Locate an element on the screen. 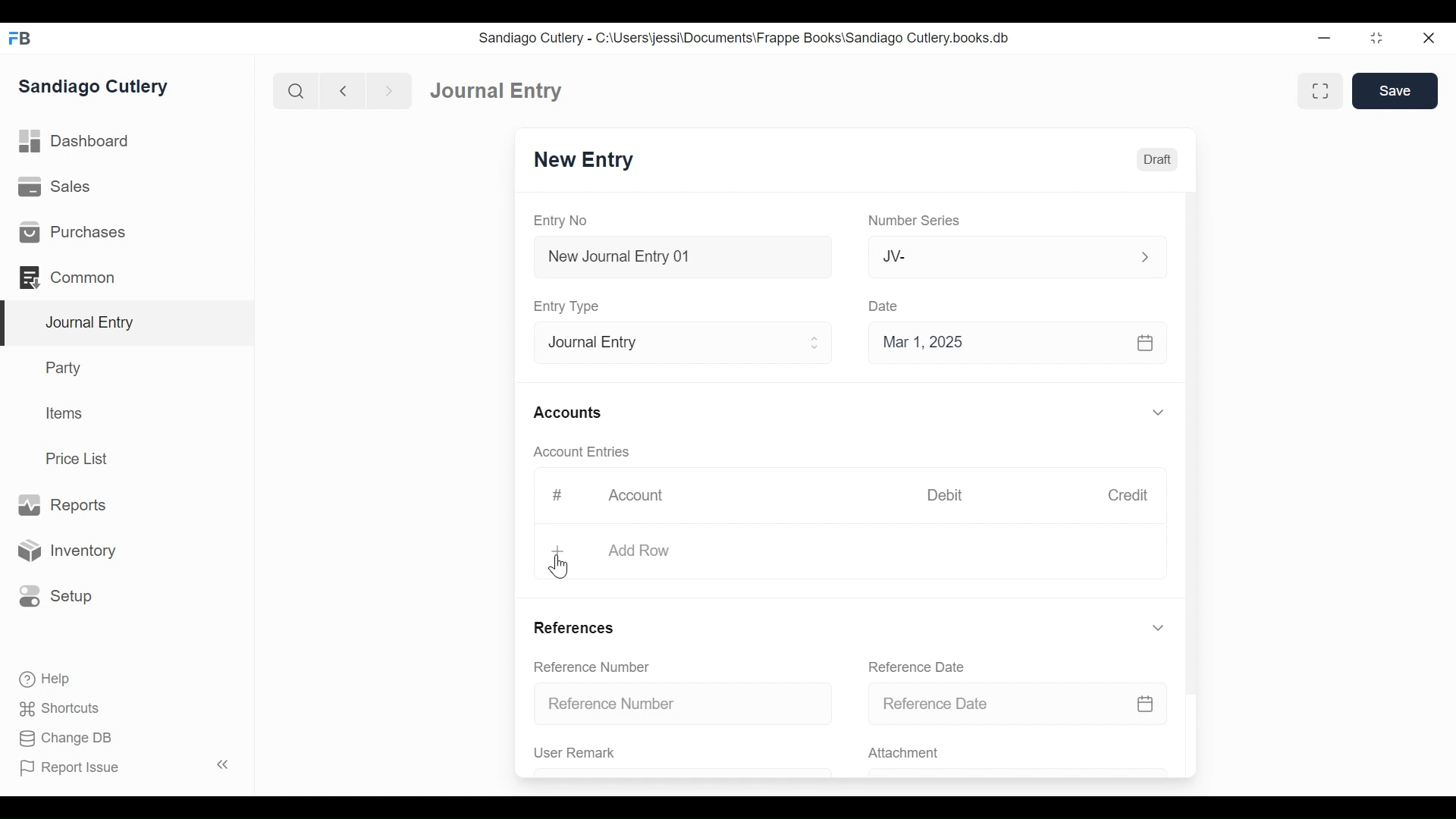  Reference Number is located at coordinates (680, 704).